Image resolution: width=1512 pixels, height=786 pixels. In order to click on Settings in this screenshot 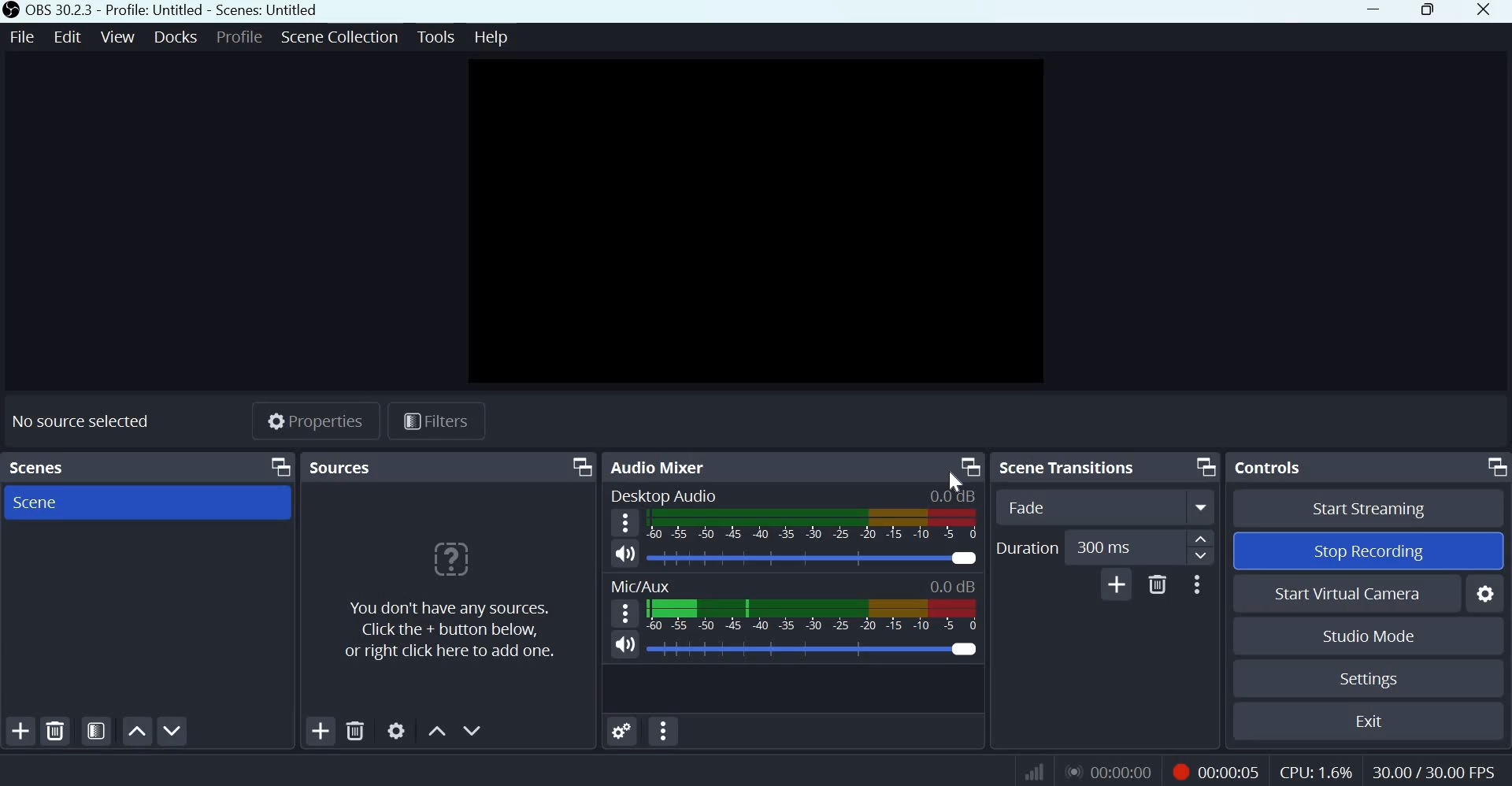, I will do `click(1364, 680)`.